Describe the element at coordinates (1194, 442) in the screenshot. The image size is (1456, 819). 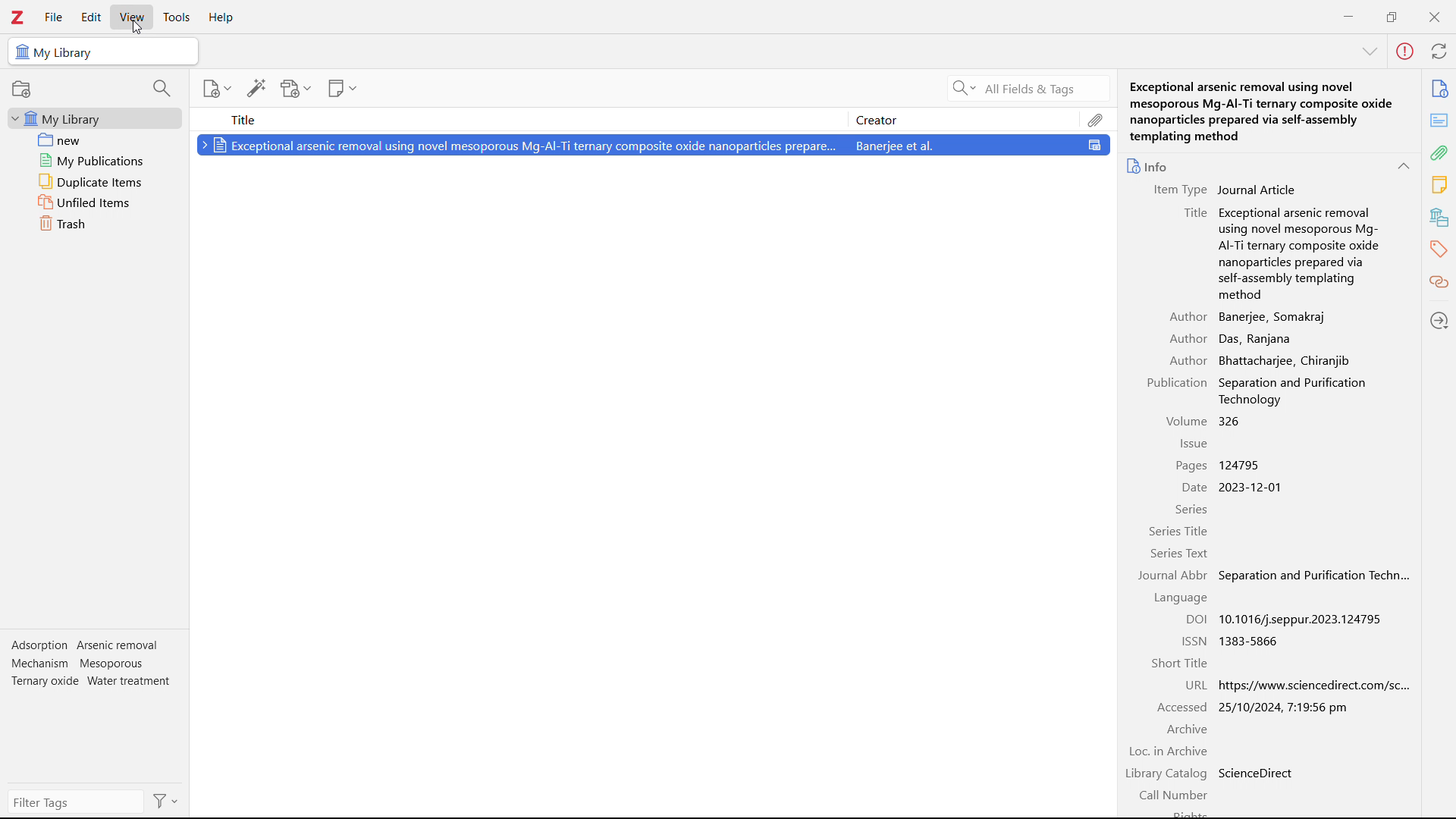
I see `Issue` at that location.